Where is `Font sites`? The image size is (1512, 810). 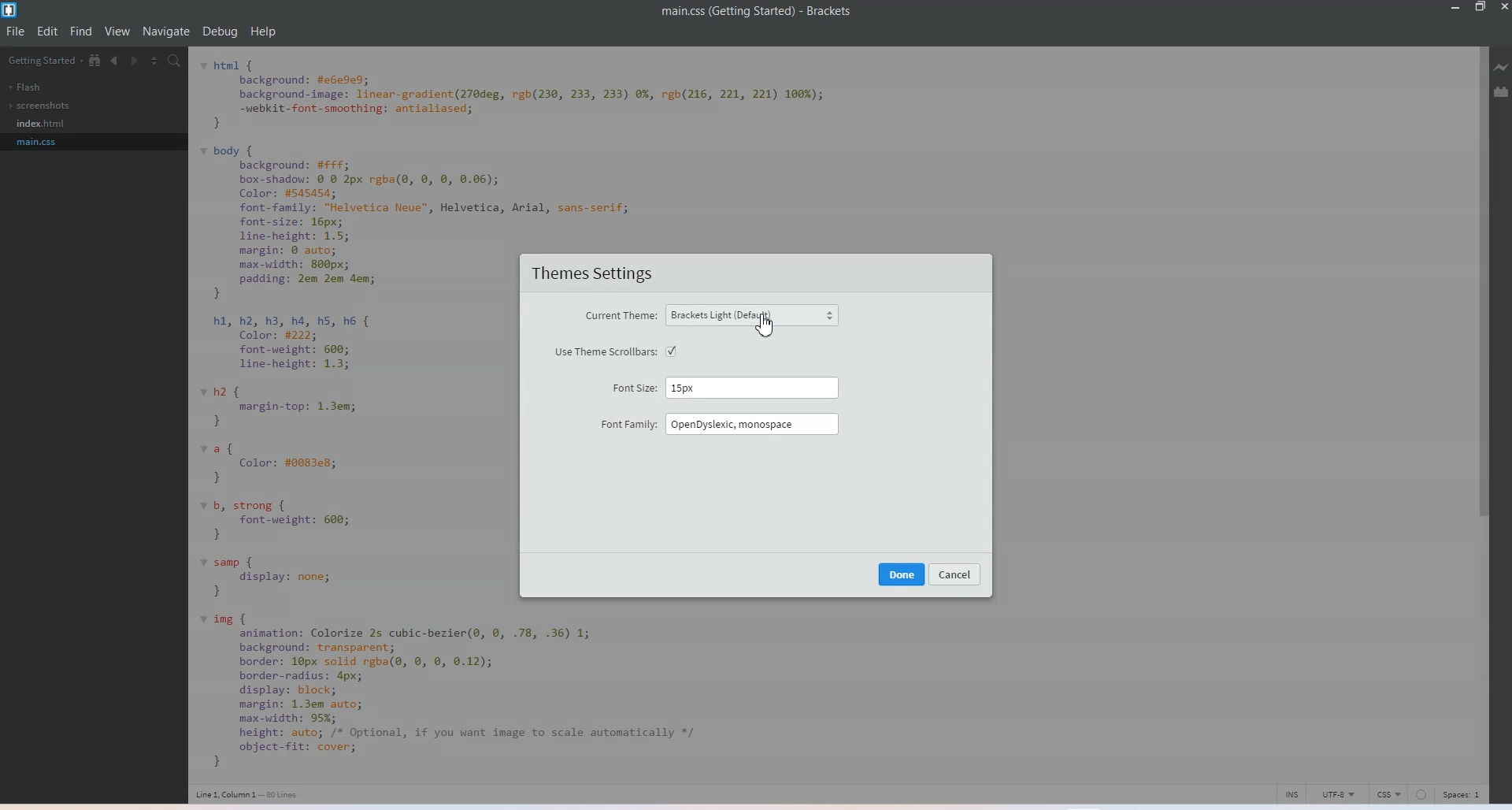 Font sites is located at coordinates (721, 388).